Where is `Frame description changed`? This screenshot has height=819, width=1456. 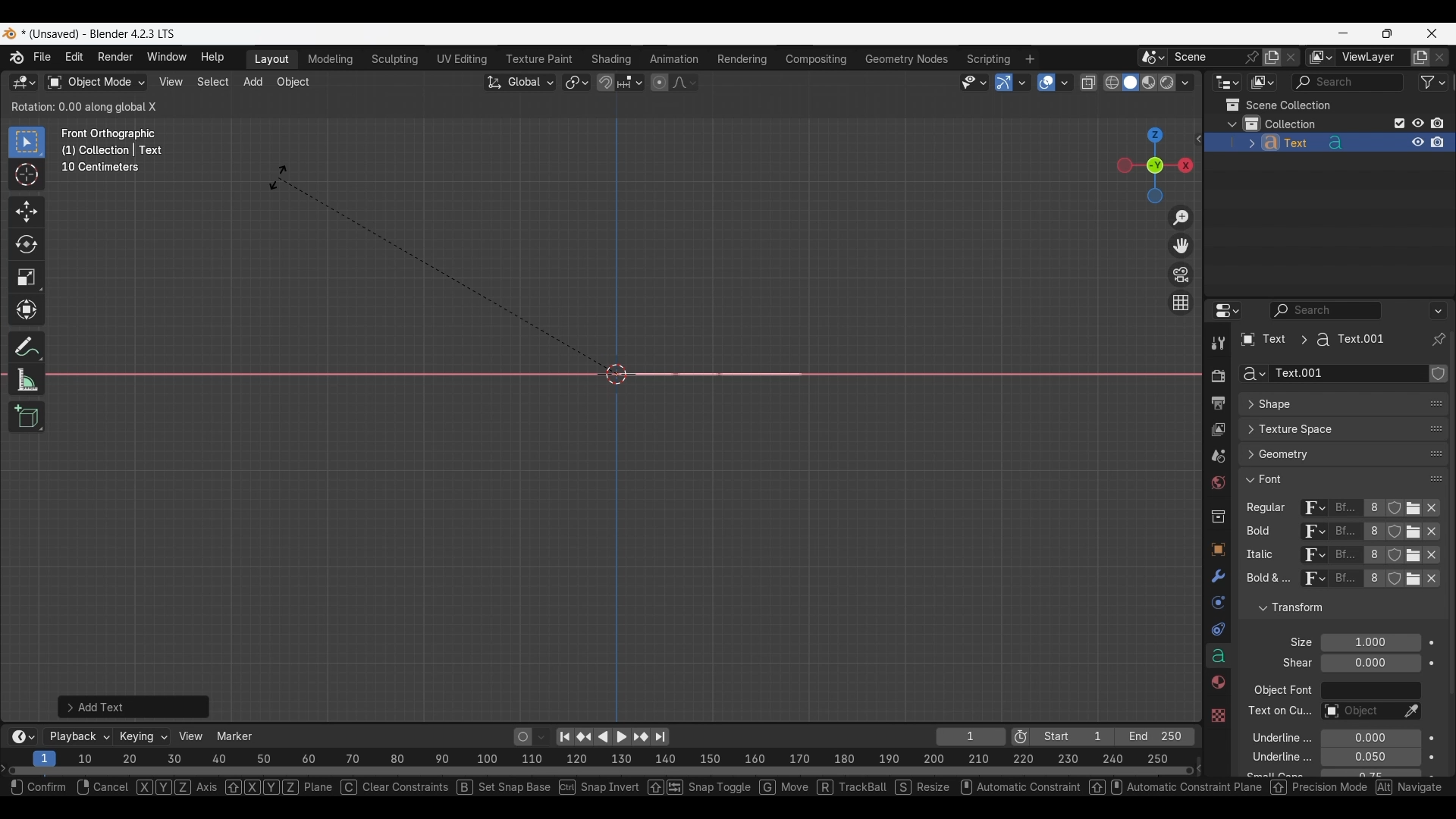
Frame description changed is located at coordinates (112, 150).